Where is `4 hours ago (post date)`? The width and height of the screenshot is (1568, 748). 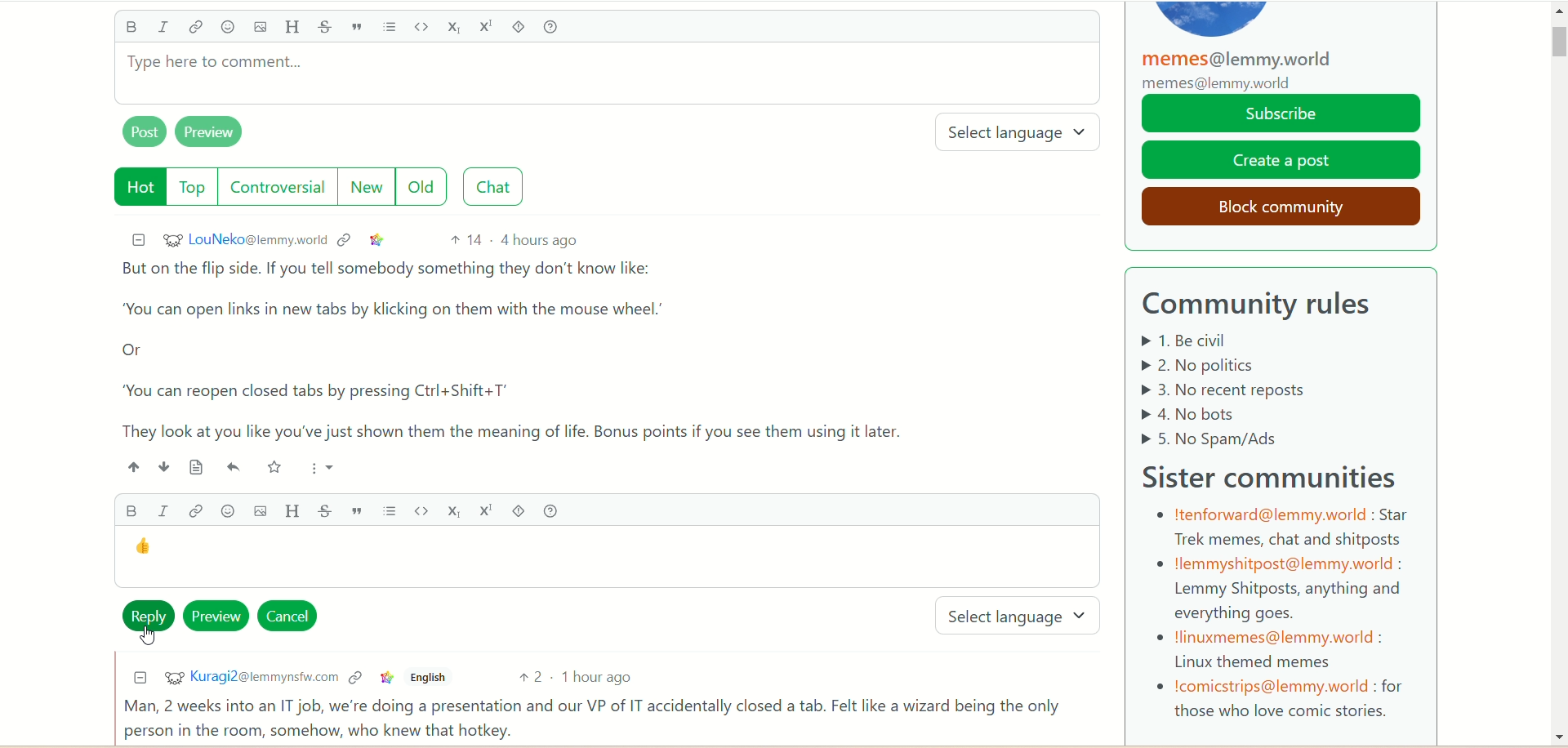 4 hours ago (post date) is located at coordinates (541, 239).